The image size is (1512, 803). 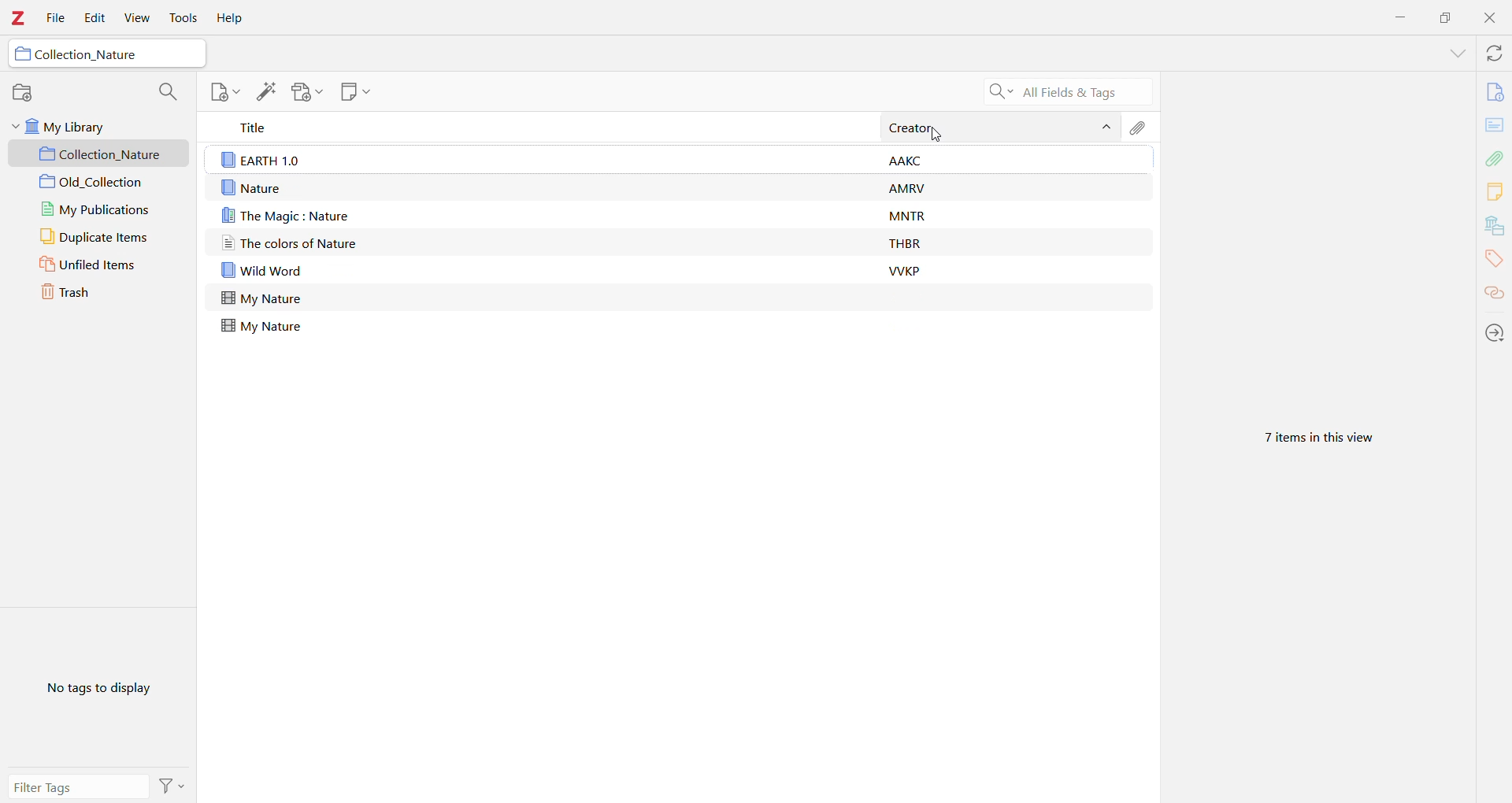 What do you see at coordinates (167, 91) in the screenshot?
I see `Filter Collections` at bounding box center [167, 91].